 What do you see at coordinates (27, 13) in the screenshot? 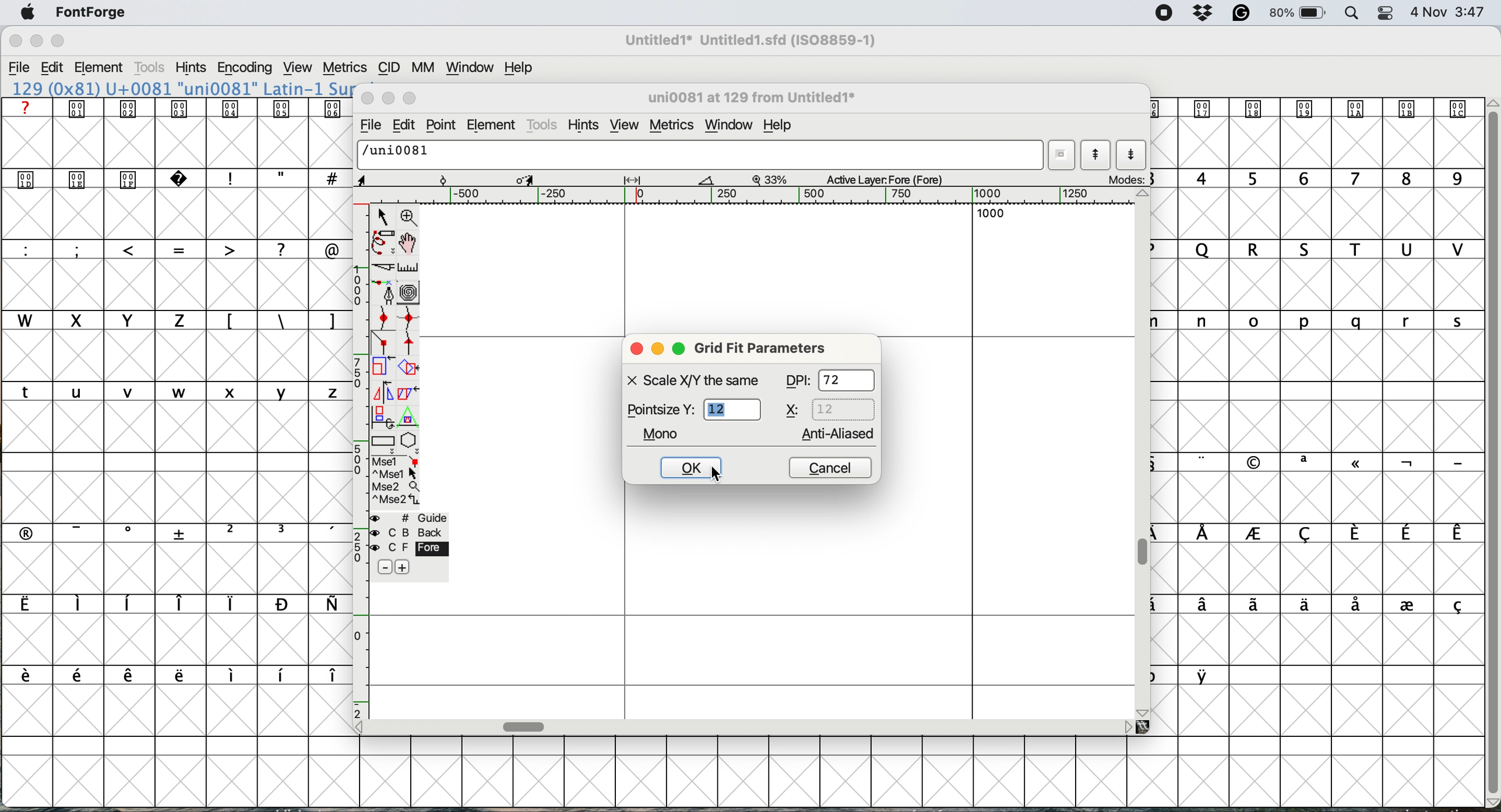
I see `Apple menu` at bounding box center [27, 13].